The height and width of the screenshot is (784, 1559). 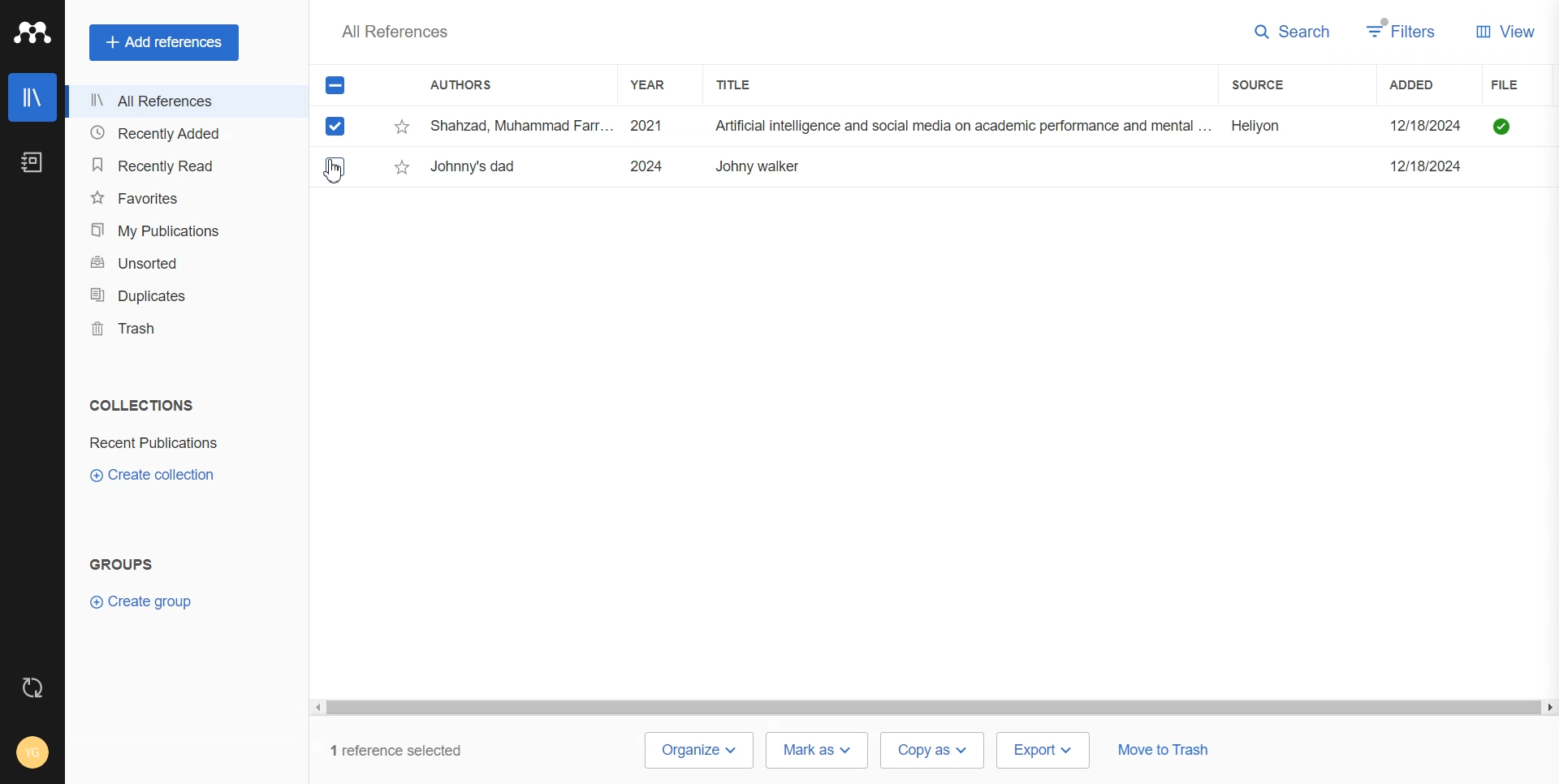 What do you see at coordinates (32, 32) in the screenshot?
I see `Logo` at bounding box center [32, 32].